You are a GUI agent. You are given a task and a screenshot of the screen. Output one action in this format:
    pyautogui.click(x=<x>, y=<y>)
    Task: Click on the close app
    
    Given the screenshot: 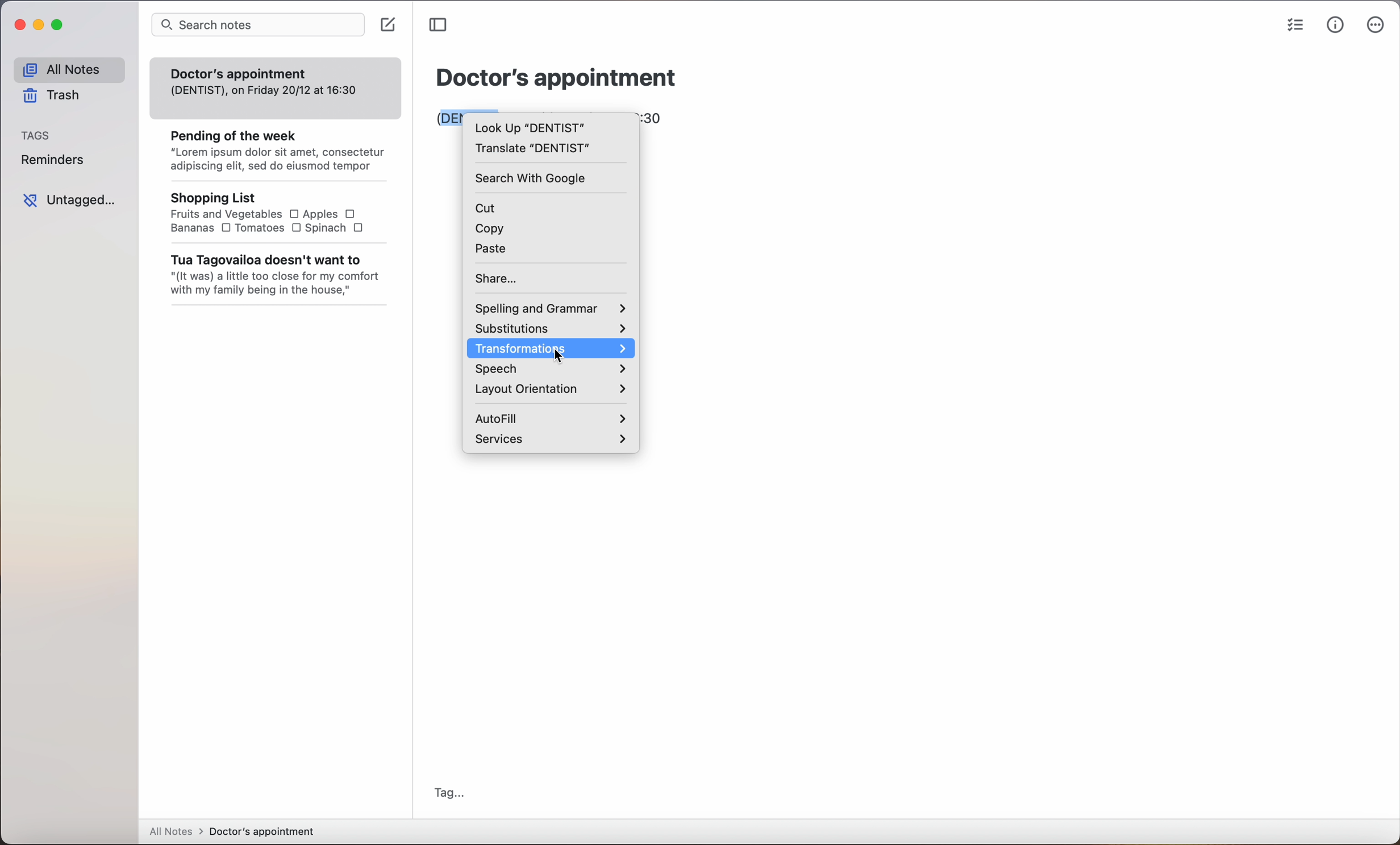 What is the action you would take?
    pyautogui.click(x=19, y=25)
    